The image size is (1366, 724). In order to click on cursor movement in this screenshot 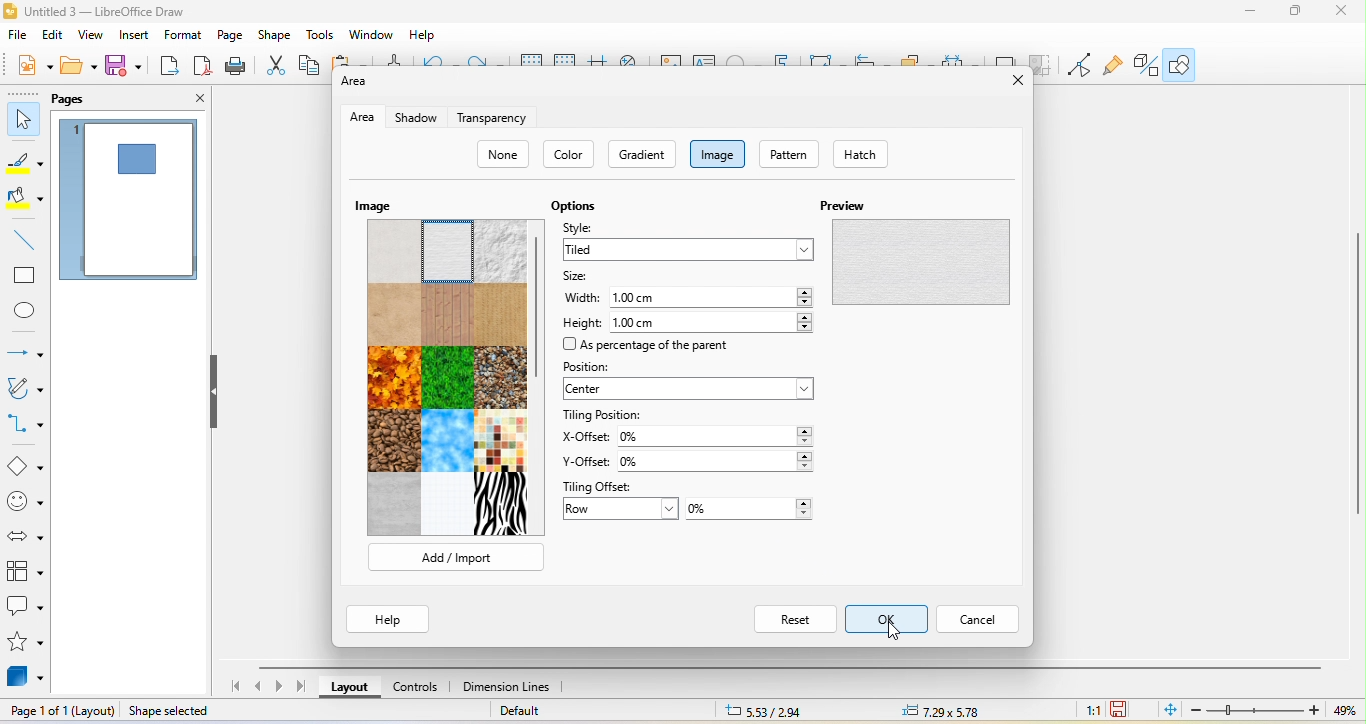, I will do `click(889, 631)`.